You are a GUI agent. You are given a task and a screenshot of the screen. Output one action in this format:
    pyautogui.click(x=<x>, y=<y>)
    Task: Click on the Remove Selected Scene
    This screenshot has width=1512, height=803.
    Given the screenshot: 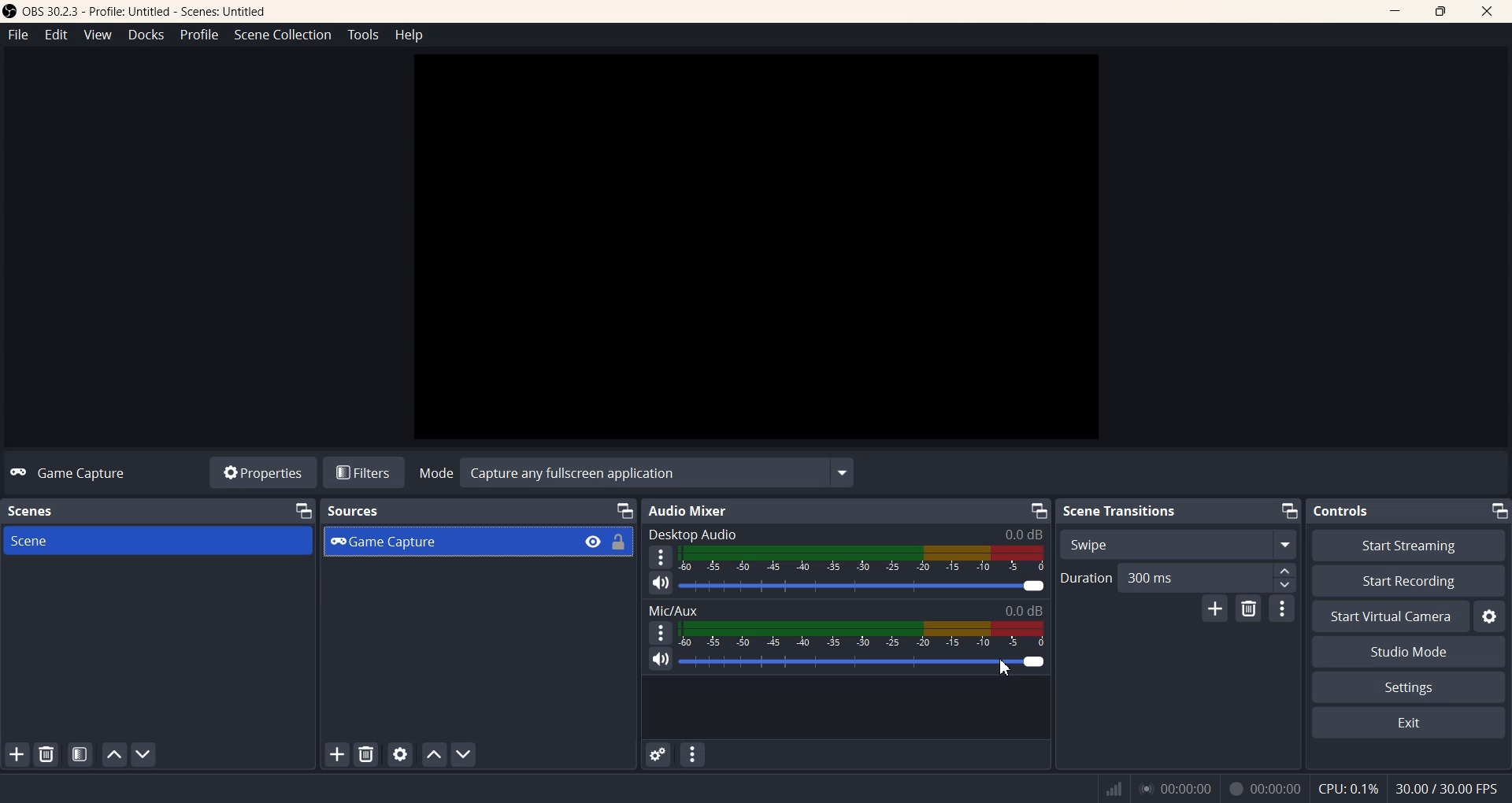 What is the action you would take?
    pyautogui.click(x=46, y=754)
    